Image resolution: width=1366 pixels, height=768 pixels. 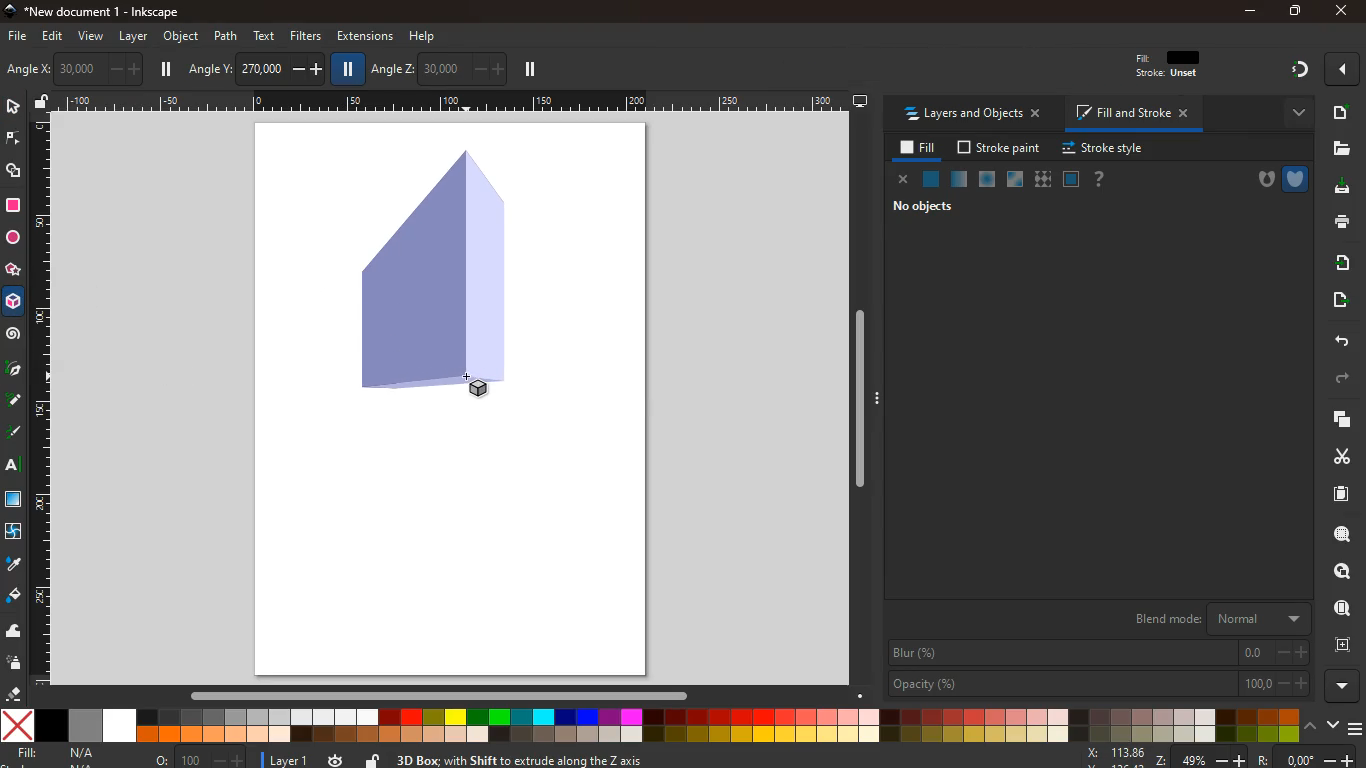 I want to click on draw, so click(x=13, y=404).